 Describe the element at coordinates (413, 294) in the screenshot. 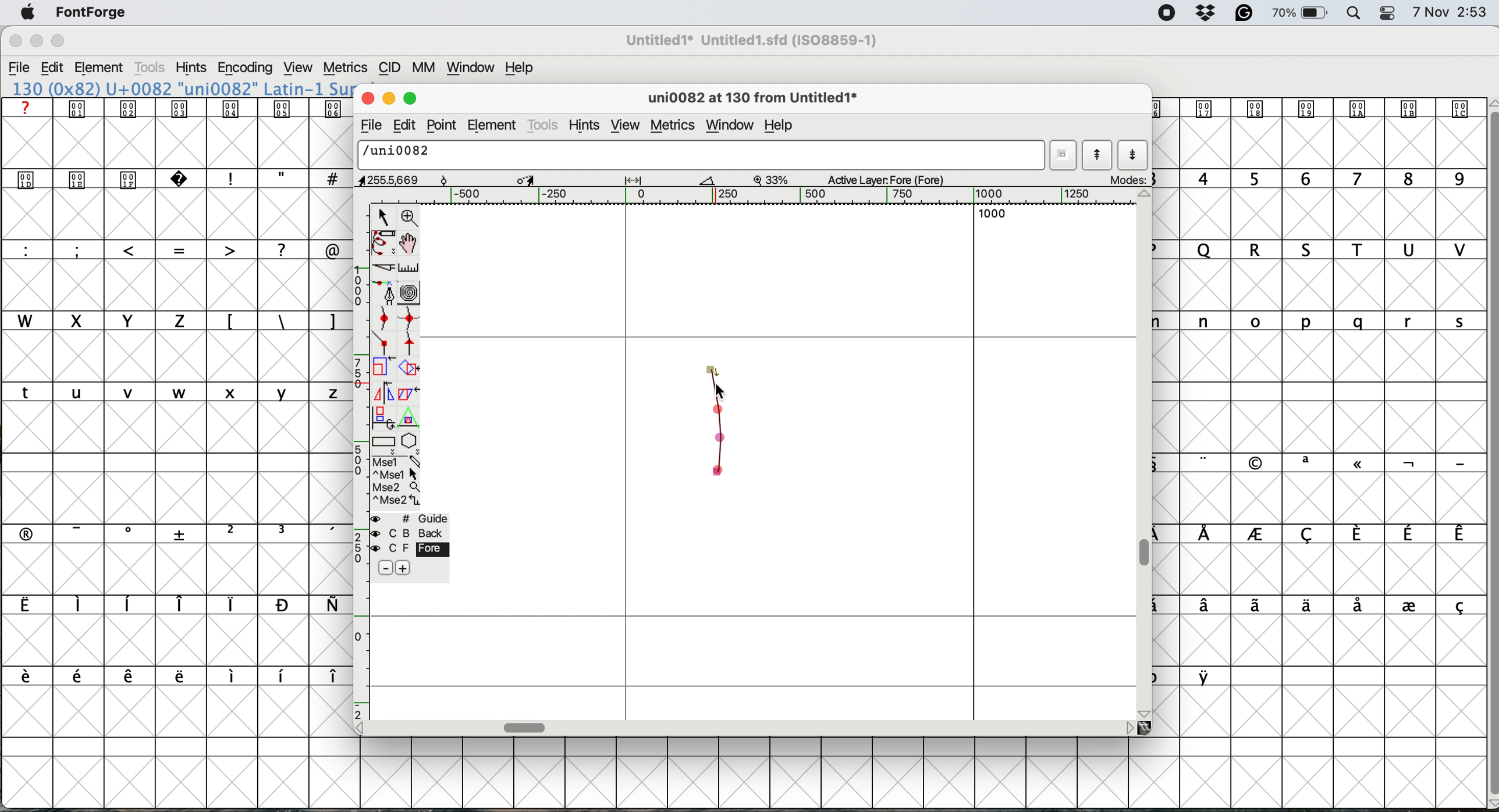

I see `change whether spiro is active or not` at that location.